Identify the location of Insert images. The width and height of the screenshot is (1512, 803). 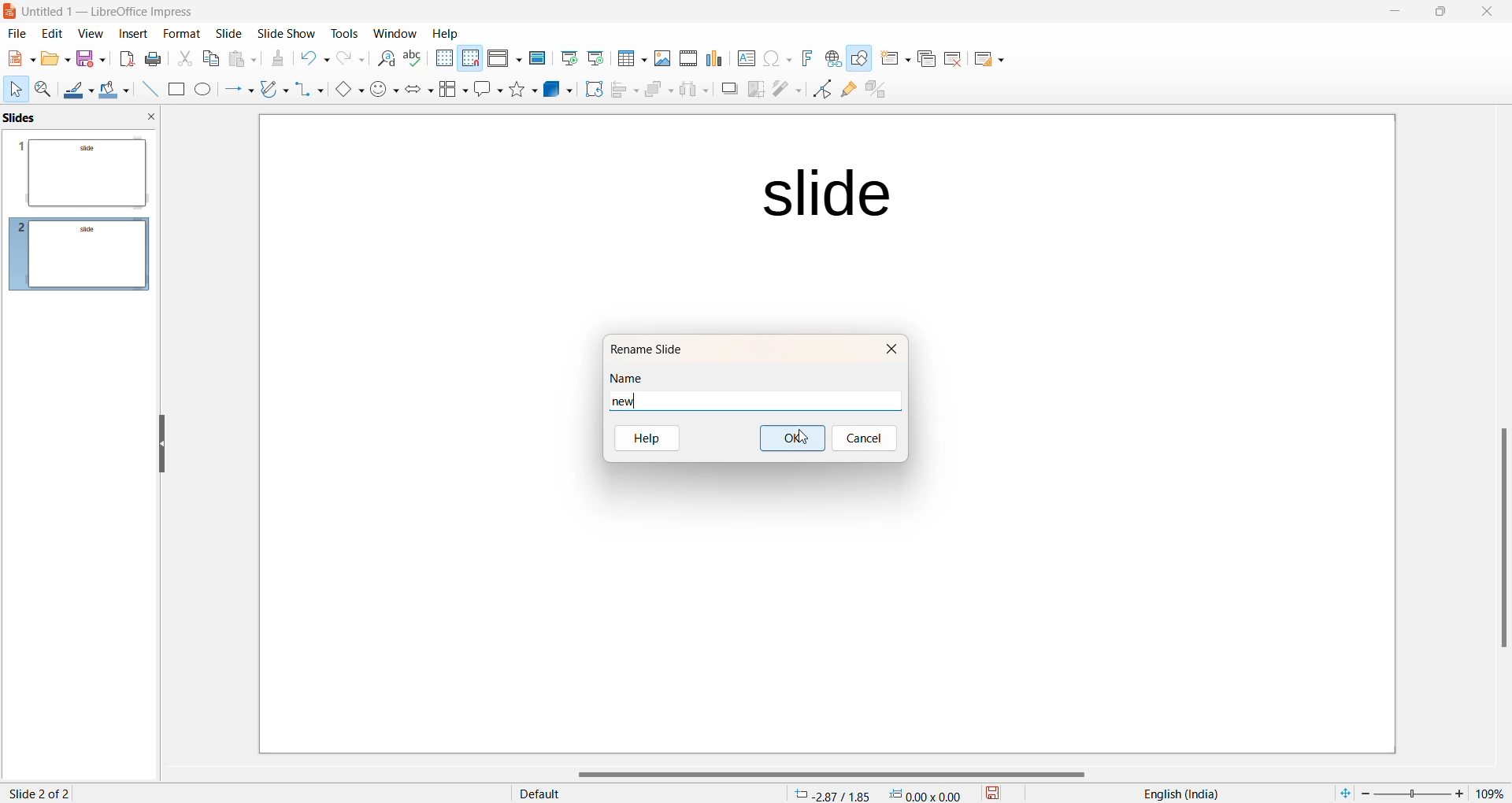
(660, 57).